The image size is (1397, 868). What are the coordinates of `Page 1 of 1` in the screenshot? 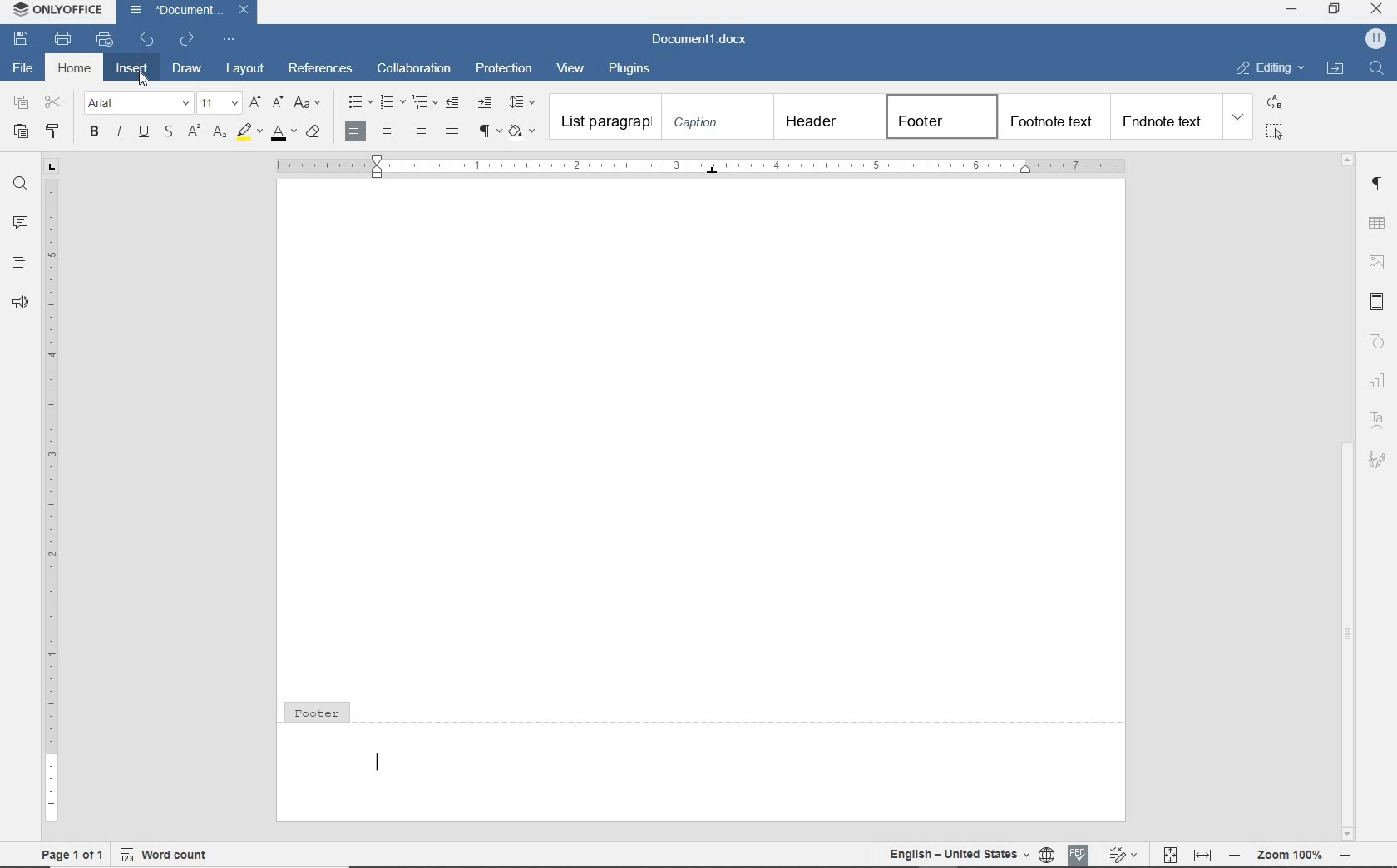 It's located at (66, 854).